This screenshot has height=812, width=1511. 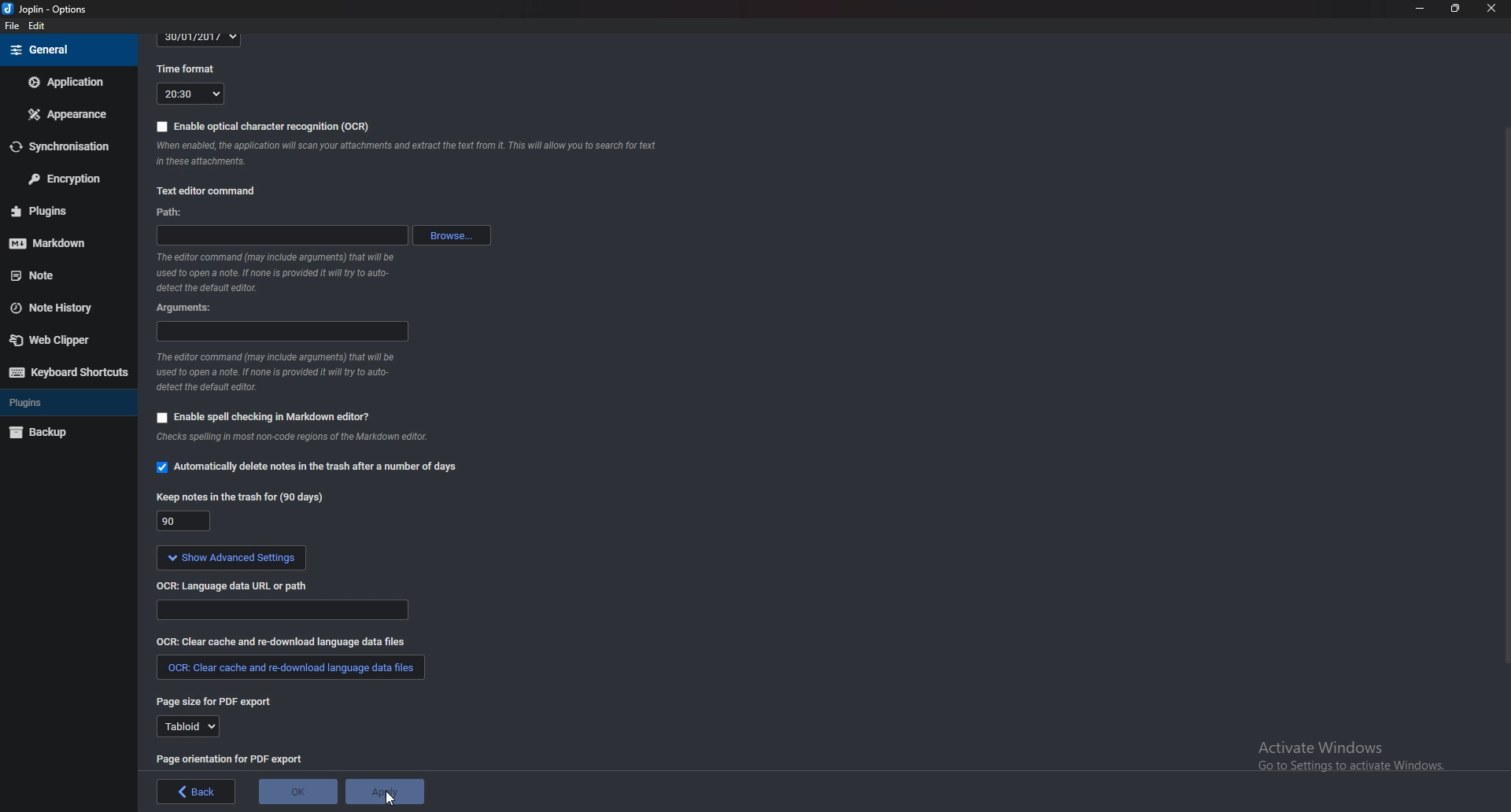 I want to click on general, so click(x=67, y=50).